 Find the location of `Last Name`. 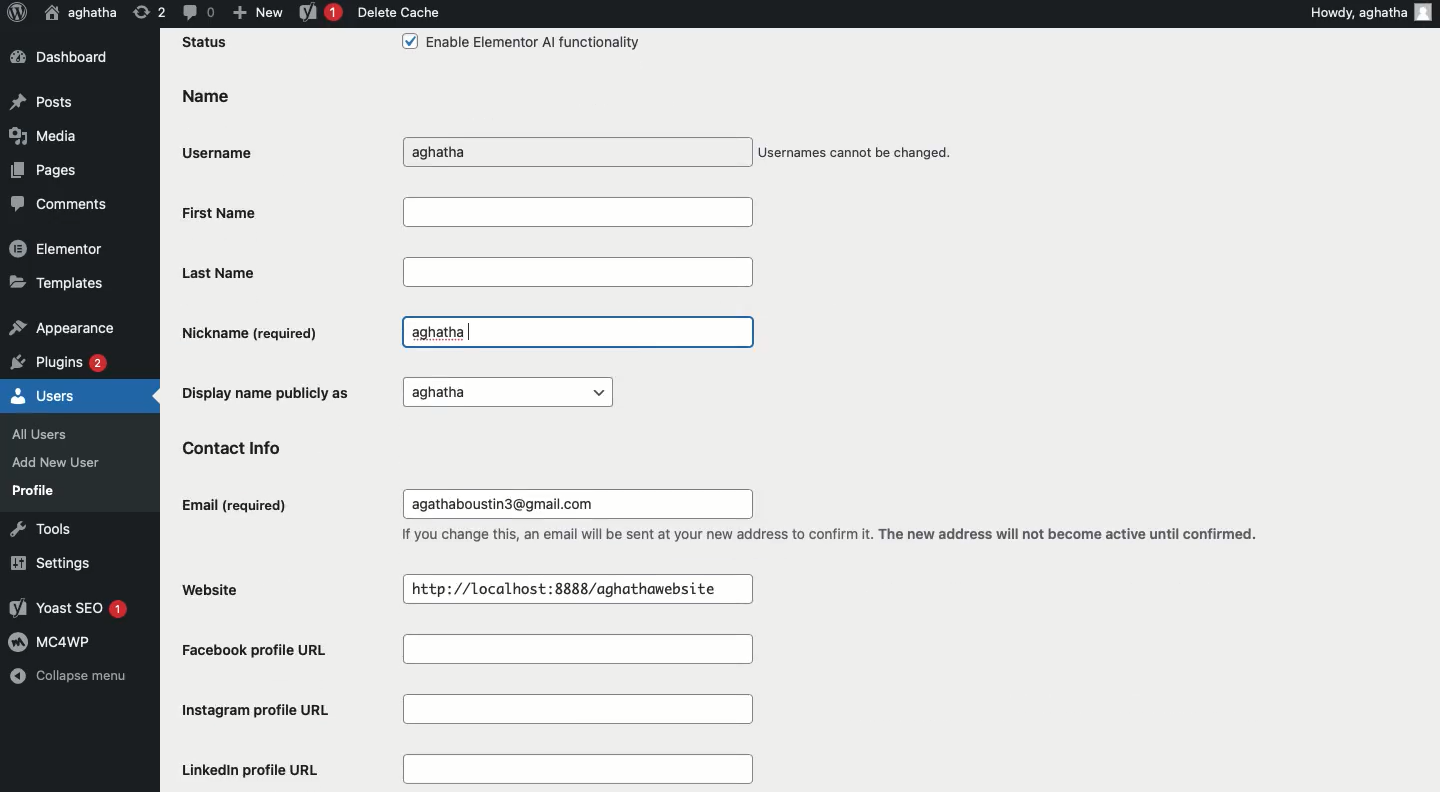

Last Name is located at coordinates (467, 271).